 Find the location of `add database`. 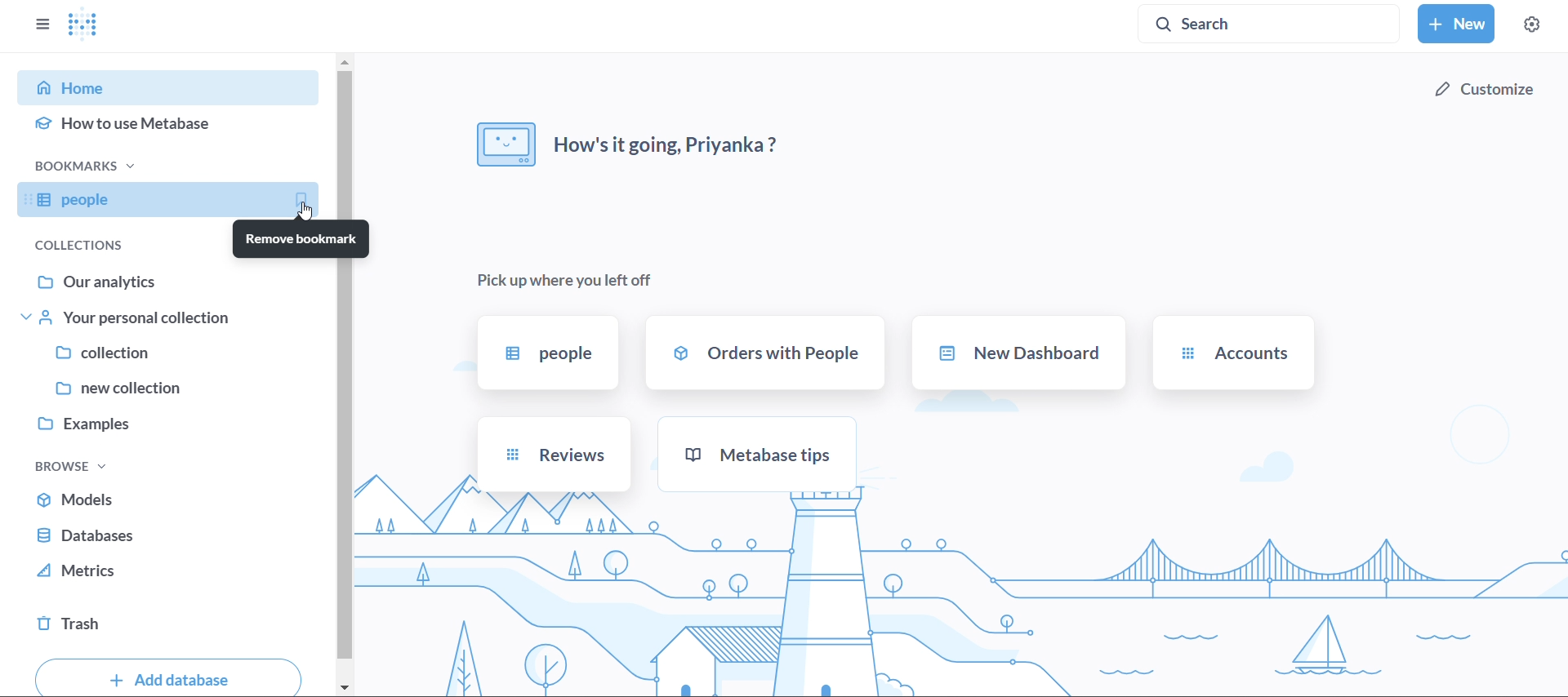

add database is located at coordinates (168, 677).